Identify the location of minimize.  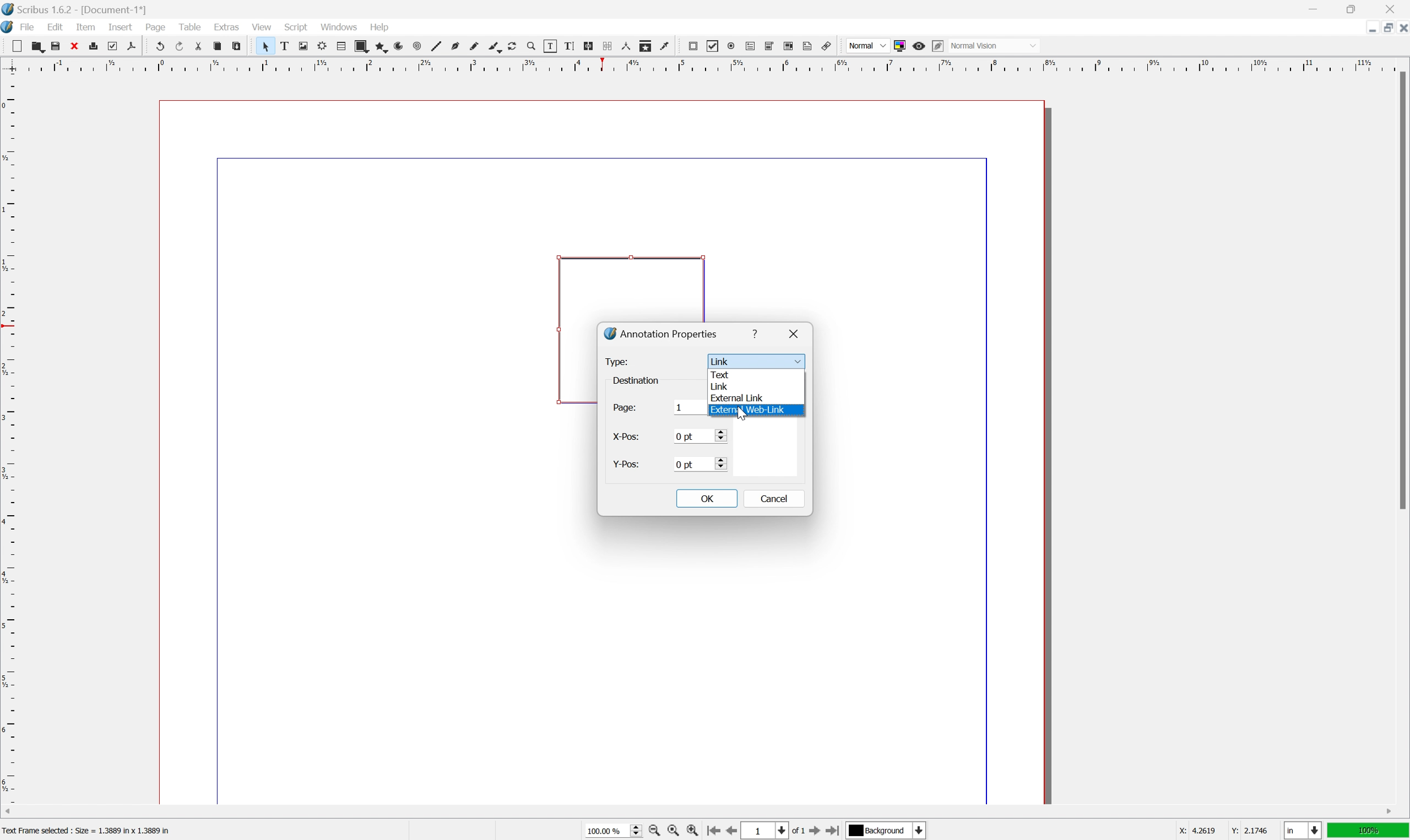
(1369, 29).